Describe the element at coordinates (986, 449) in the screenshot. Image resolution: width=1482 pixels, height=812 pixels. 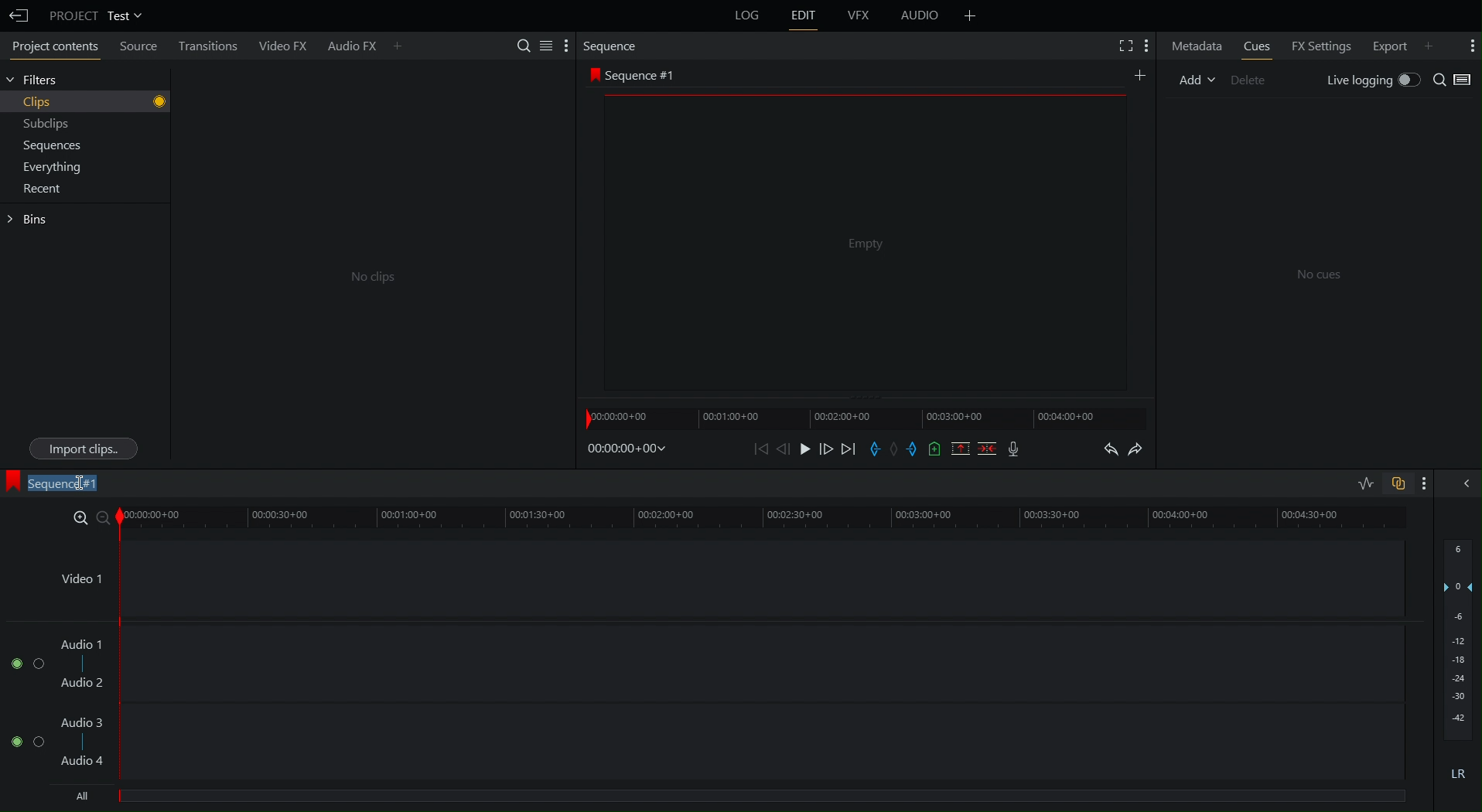
I see `Delete/Cut` at that location.